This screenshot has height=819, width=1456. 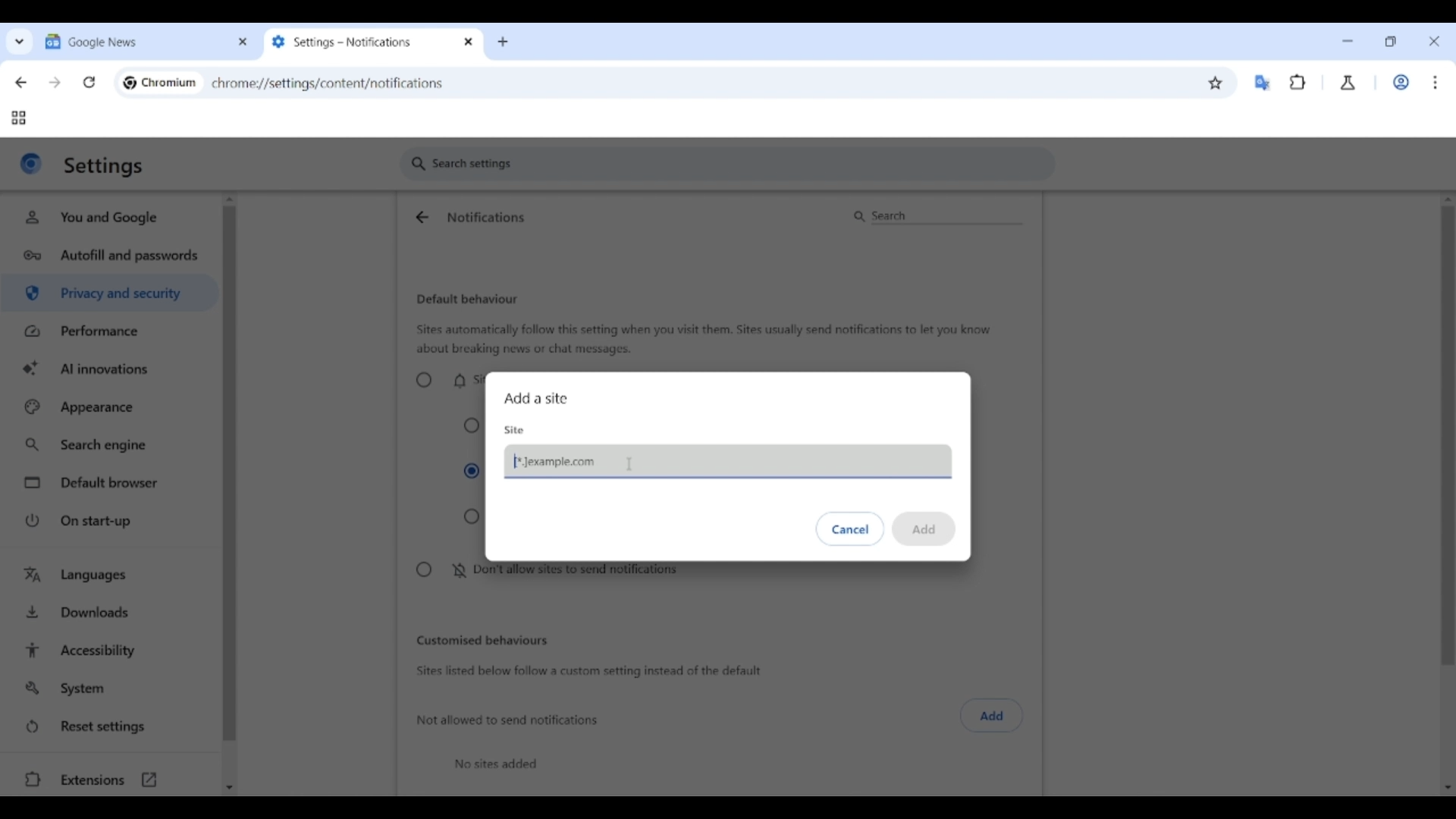 What do you see at coordinates (108, 296) in the screenshot?
I see `Privacy and security highlighted` at bounding box center [108, 296].